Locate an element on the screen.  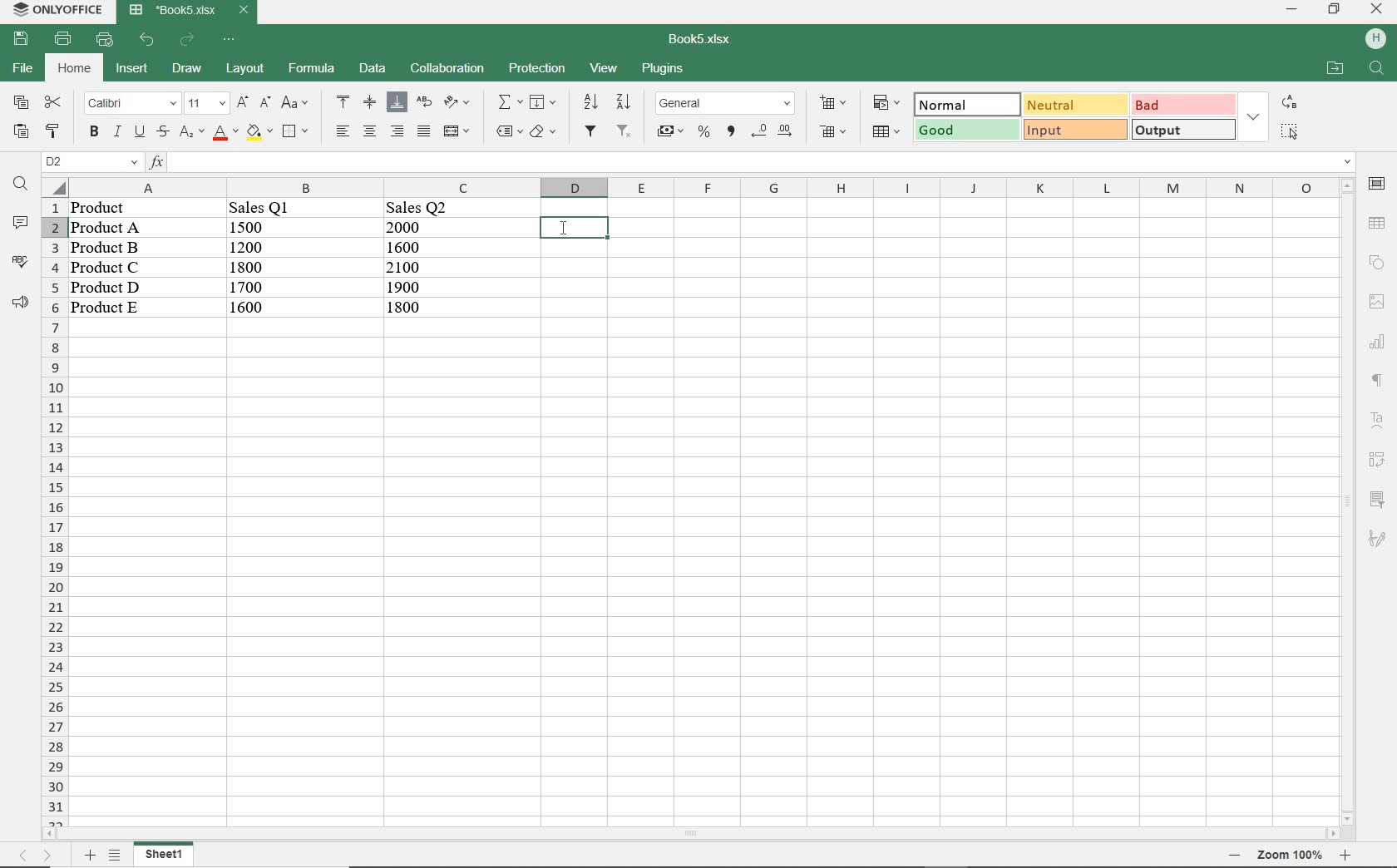
draw is located at coordinates (186, 68).